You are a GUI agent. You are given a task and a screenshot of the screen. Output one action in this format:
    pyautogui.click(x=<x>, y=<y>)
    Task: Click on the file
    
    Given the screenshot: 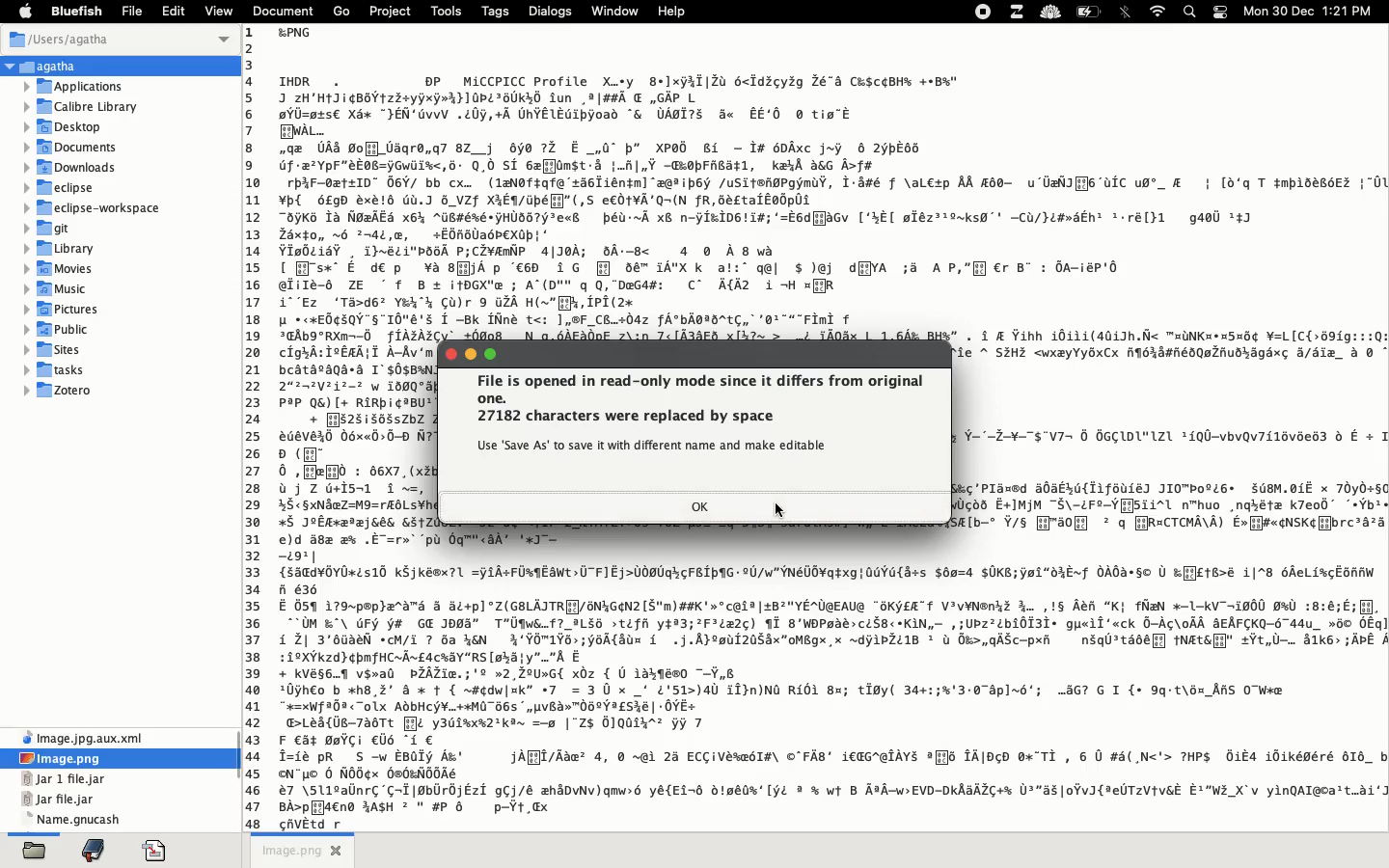 What is the action you would take?
    pyautogui.click(x=132, y=13)
    